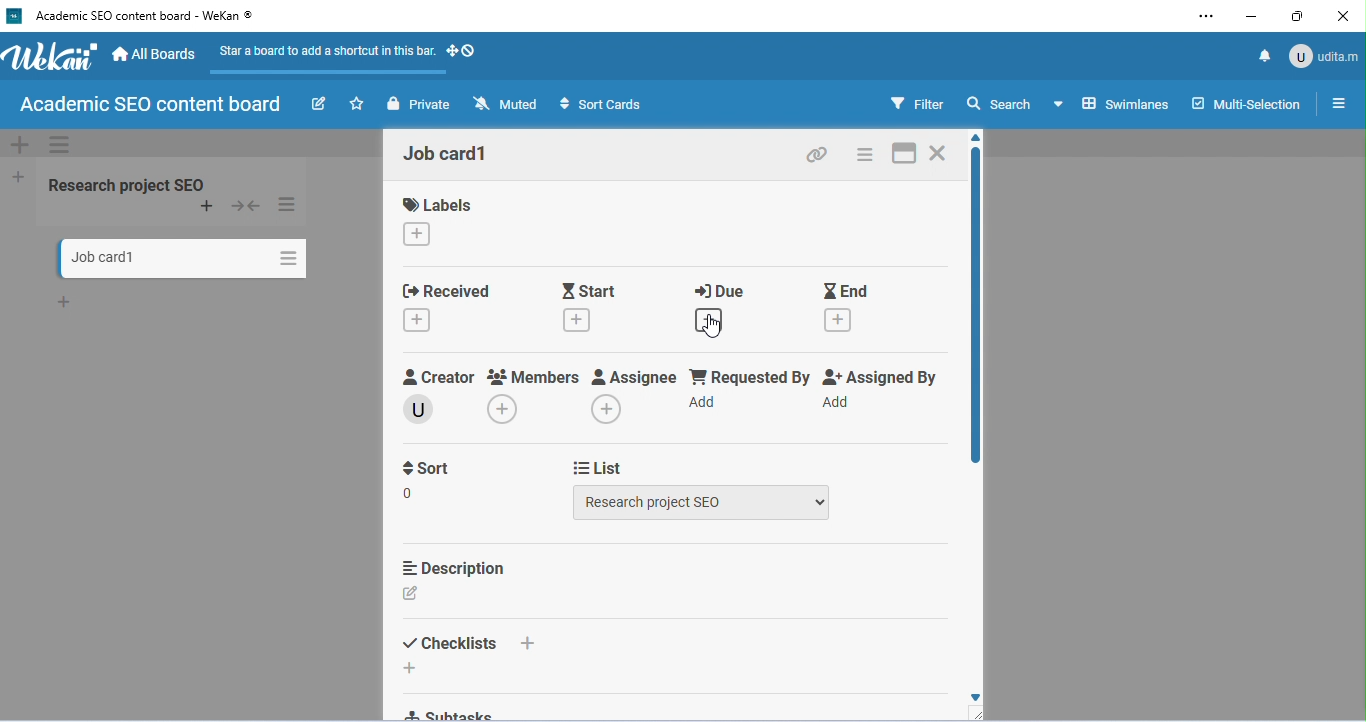 The image size is (1366, 722). Describe the element at coordinates (21, 145) in the screenshot. I see `add swimelane` at that location.